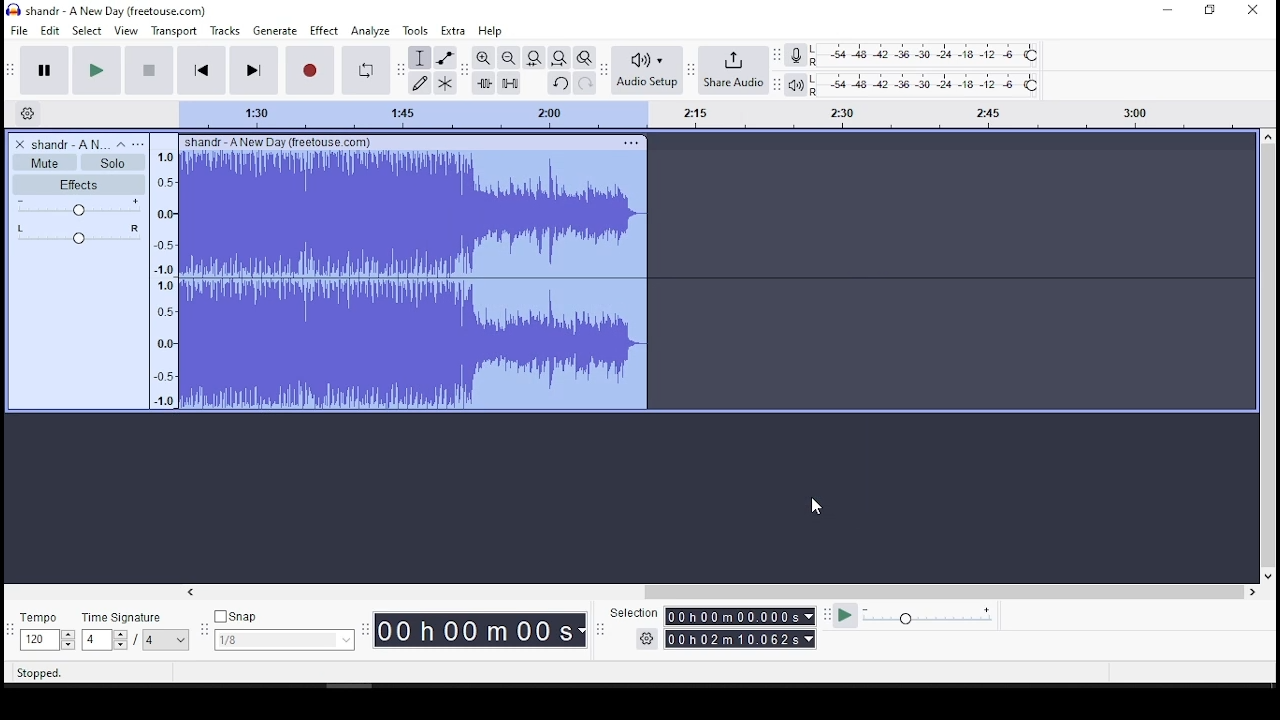 The image size is (1280, 720). What do you see at coordinates (97, 71) in the screenshot?
I see `play` at bounding box center [97, 71].